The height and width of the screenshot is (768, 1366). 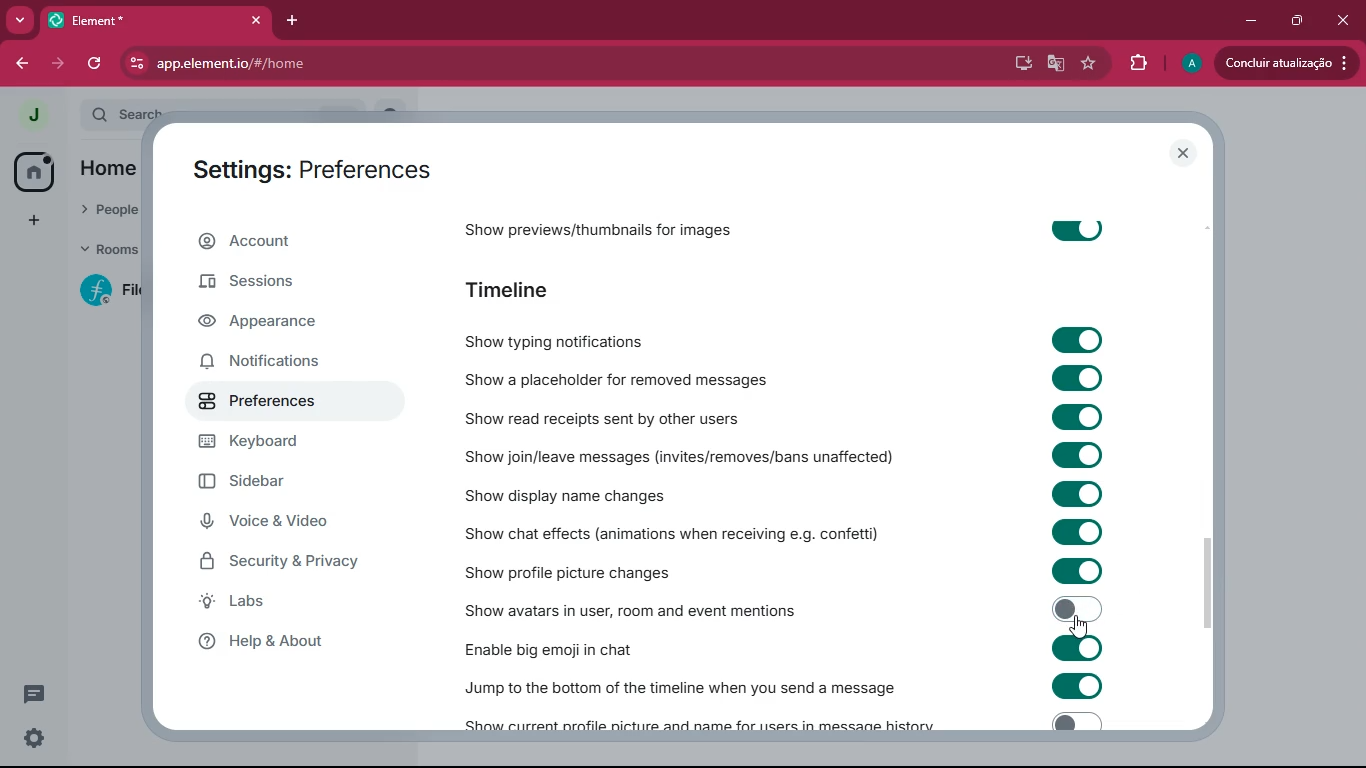 I want to click on j, so click(x=32, y=116).